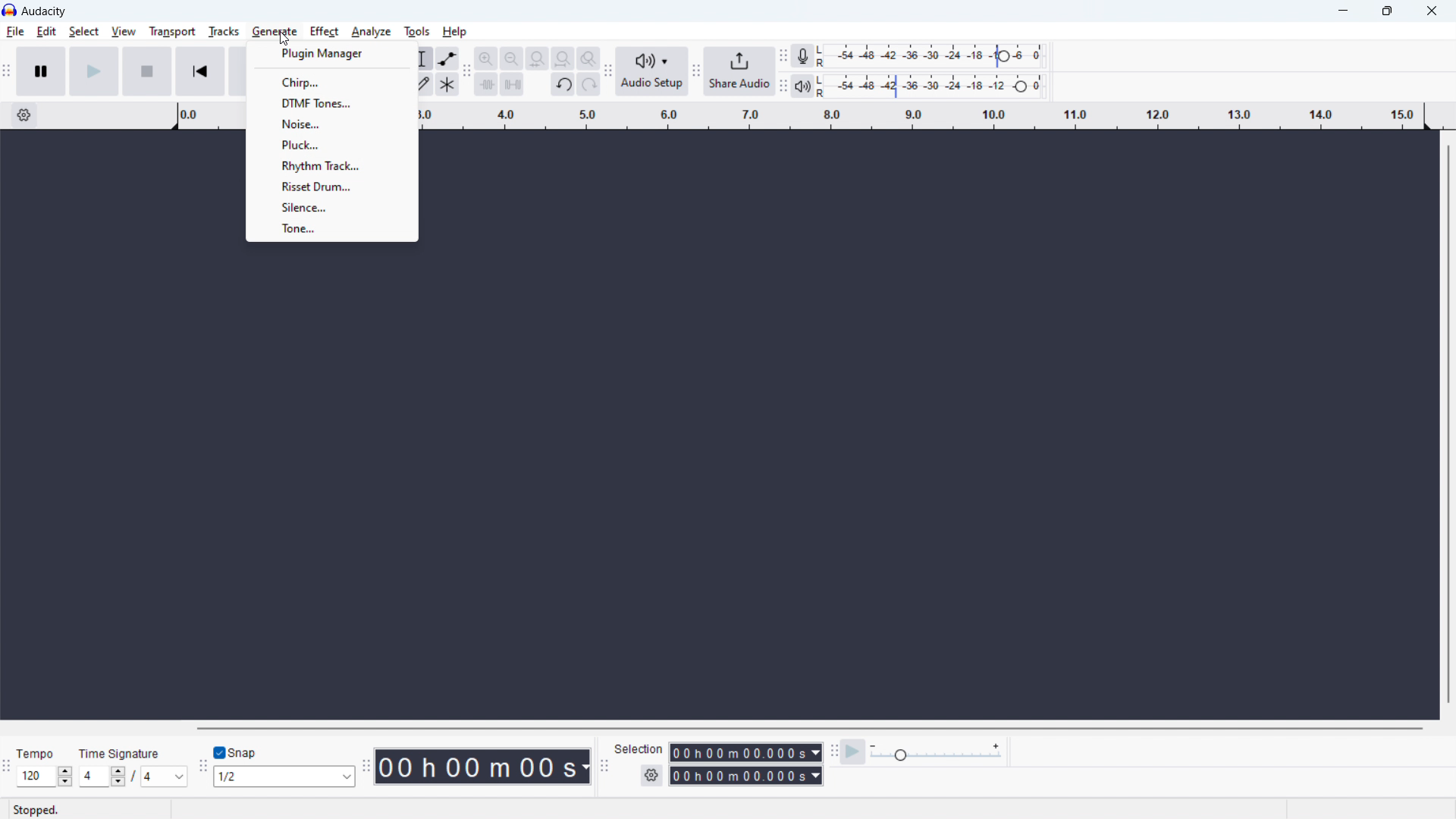 This screenshot has width=1456, height=819. Describe the element at coordinates (834, 752) in the screenshot. I see `play at speed toolbar` at that location.